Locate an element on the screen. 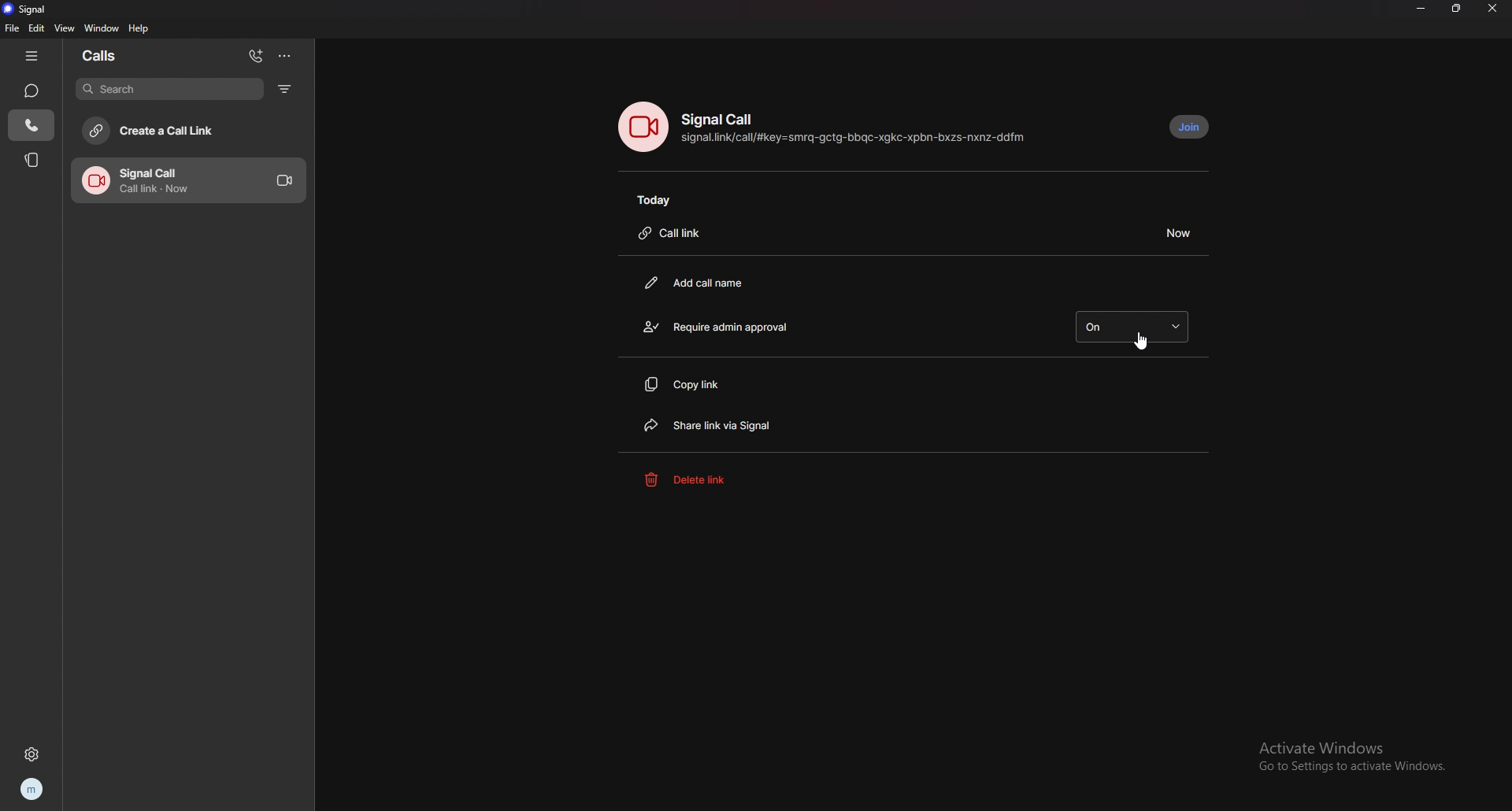  close is located at coordinates (1495, 9).